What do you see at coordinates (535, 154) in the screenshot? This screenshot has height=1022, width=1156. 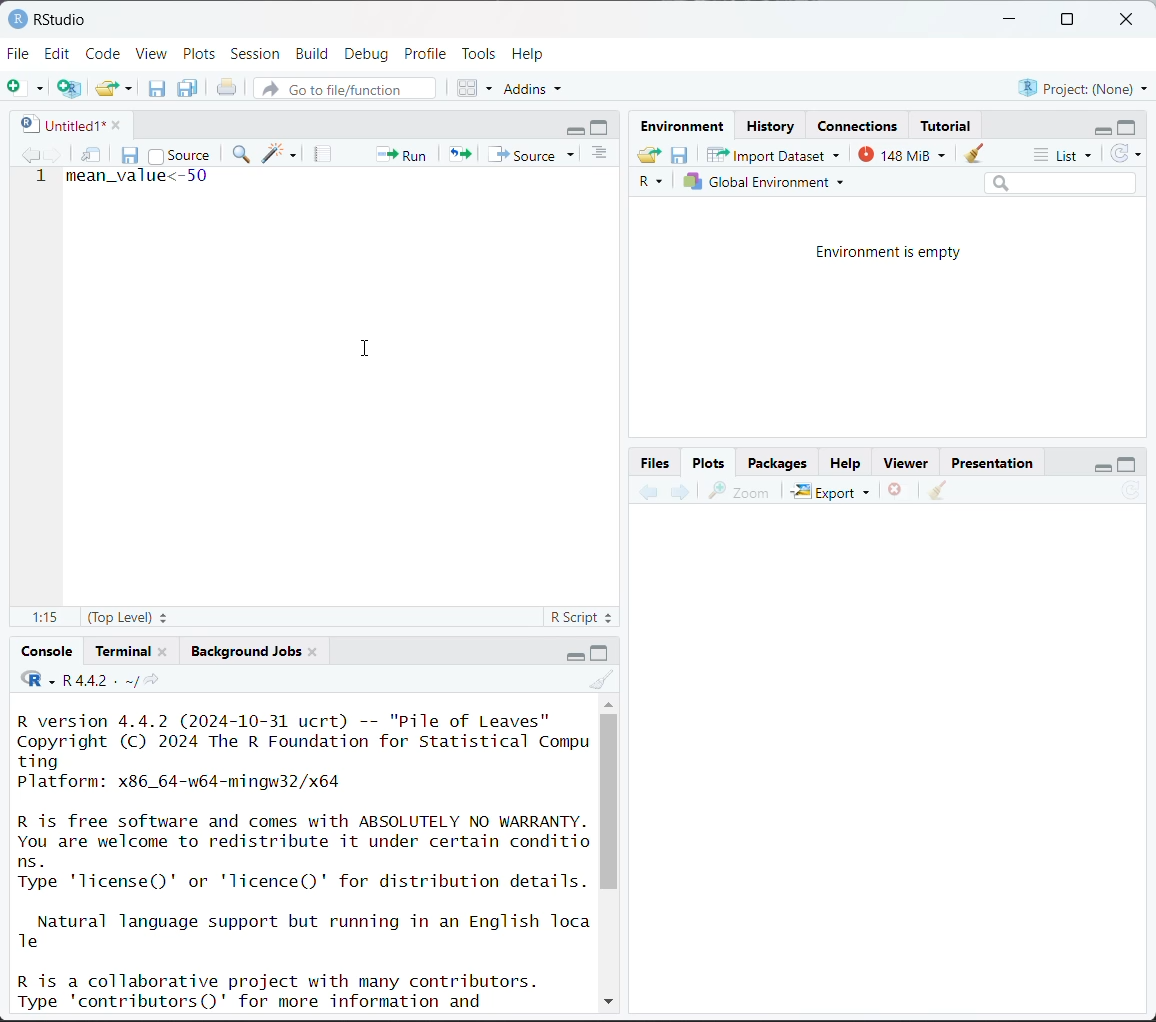 I see `source` at bounding box center [535, 154].